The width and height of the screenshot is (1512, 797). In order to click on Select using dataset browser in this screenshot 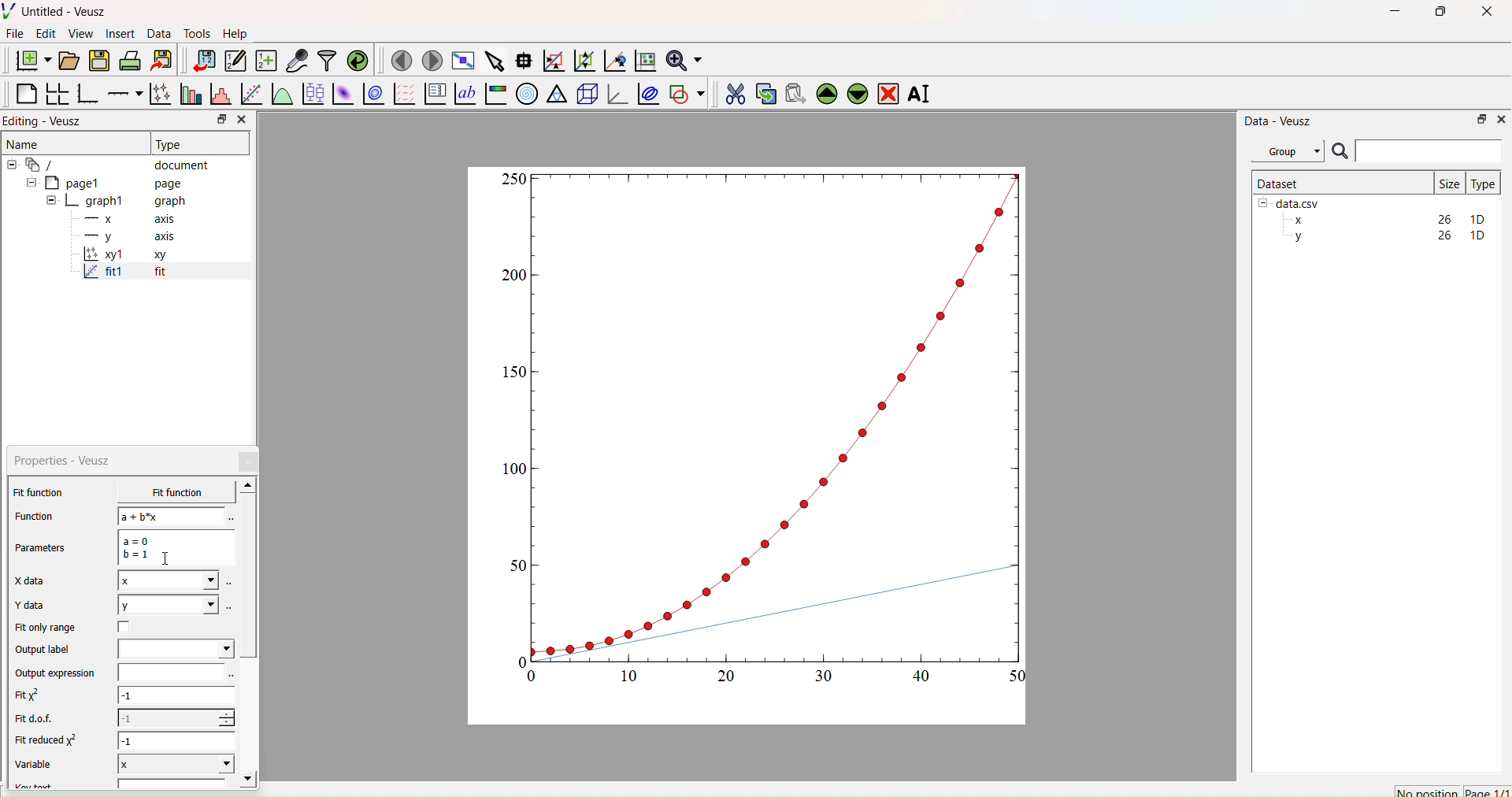, I will do `click(229, 519)`.